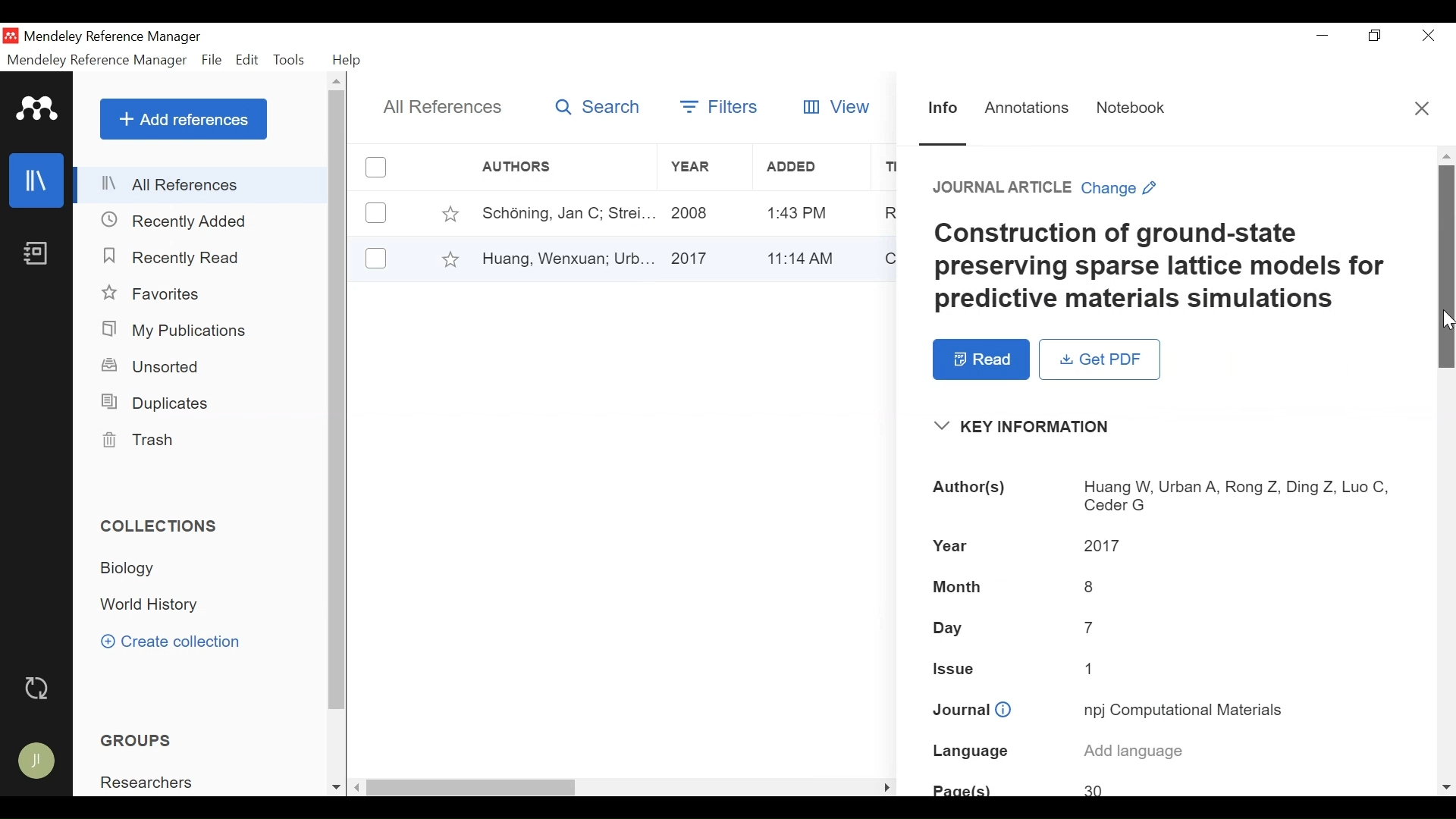  I want to click on Close, so click(1430, 35).